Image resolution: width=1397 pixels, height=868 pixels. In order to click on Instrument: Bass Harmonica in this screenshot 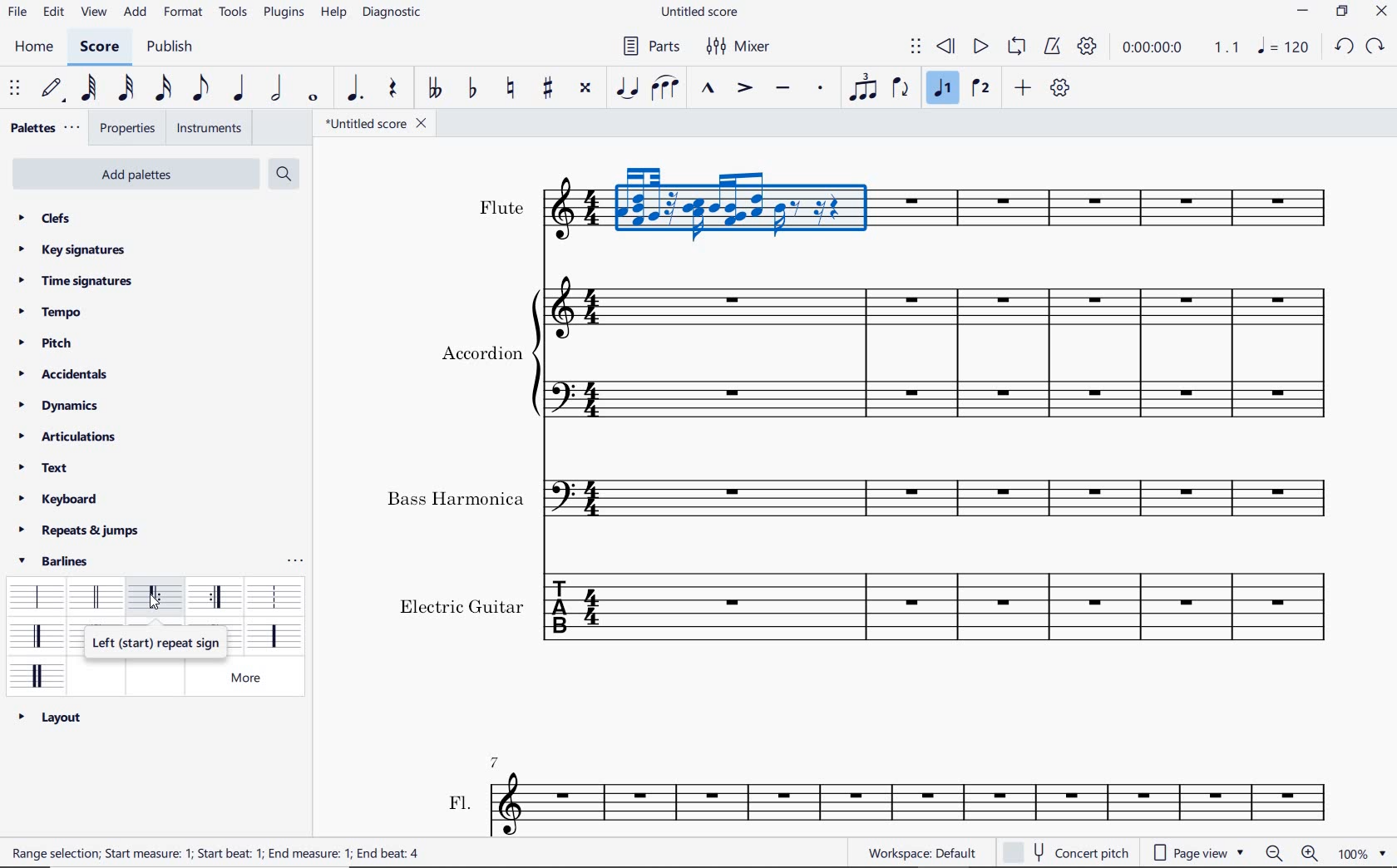, I will do `click(946, 492)`.